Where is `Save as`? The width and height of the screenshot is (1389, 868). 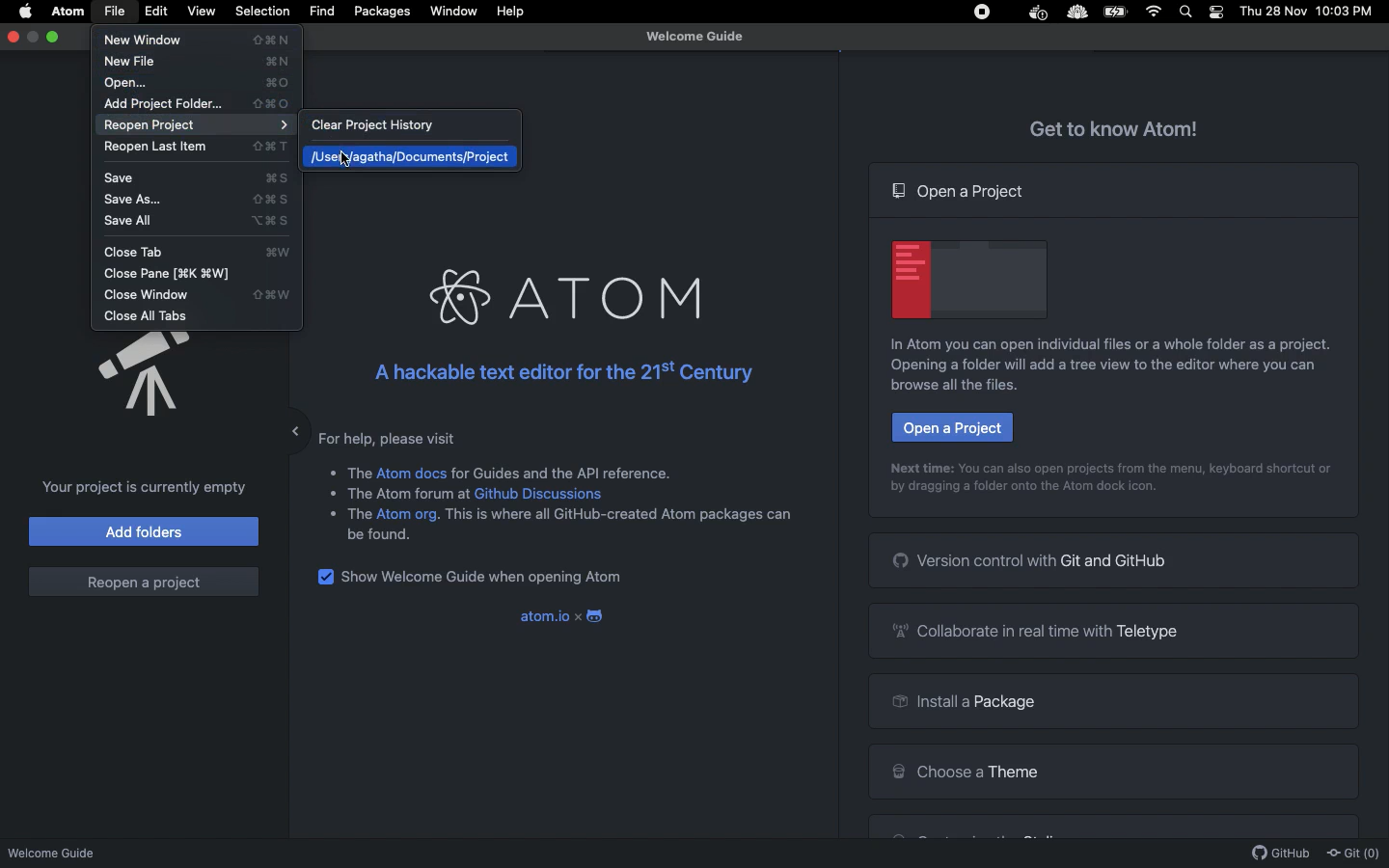
Save as is located at coordinates (202, 200).